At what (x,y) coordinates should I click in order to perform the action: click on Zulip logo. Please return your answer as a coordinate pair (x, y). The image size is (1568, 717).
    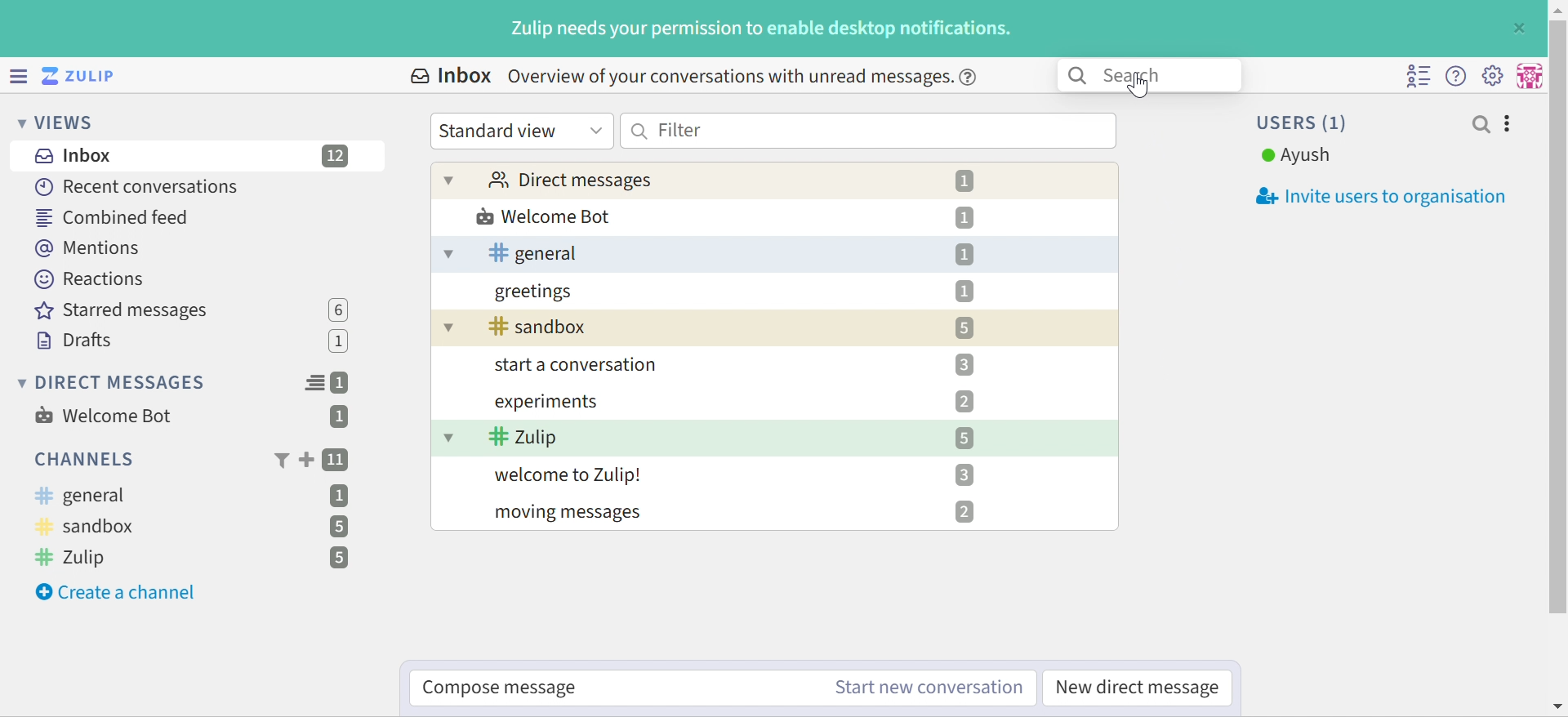
    Looking at the image, I should click on (82, 75).